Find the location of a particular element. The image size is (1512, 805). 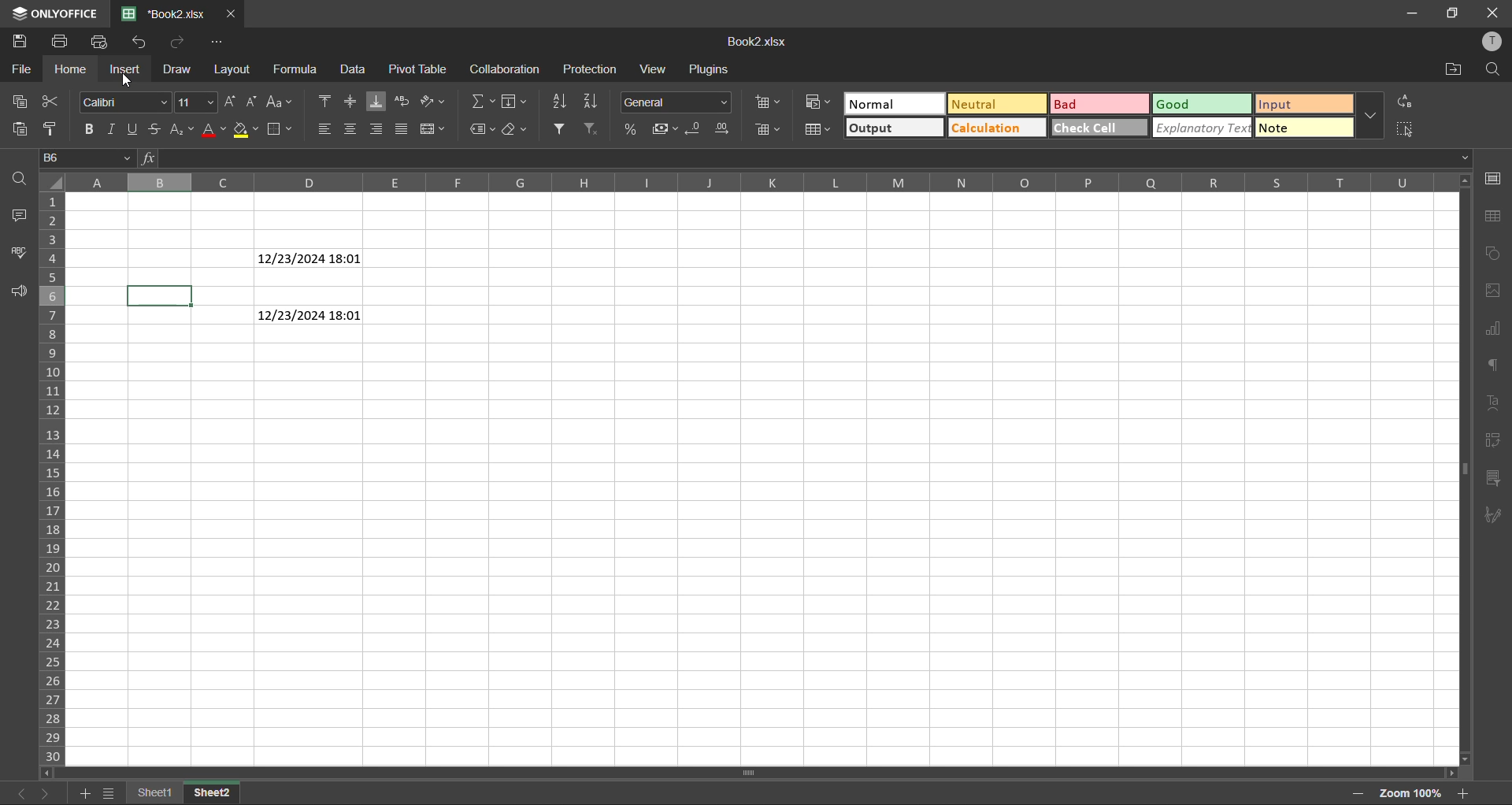

paragraph is located at coordinates (1494, 368).